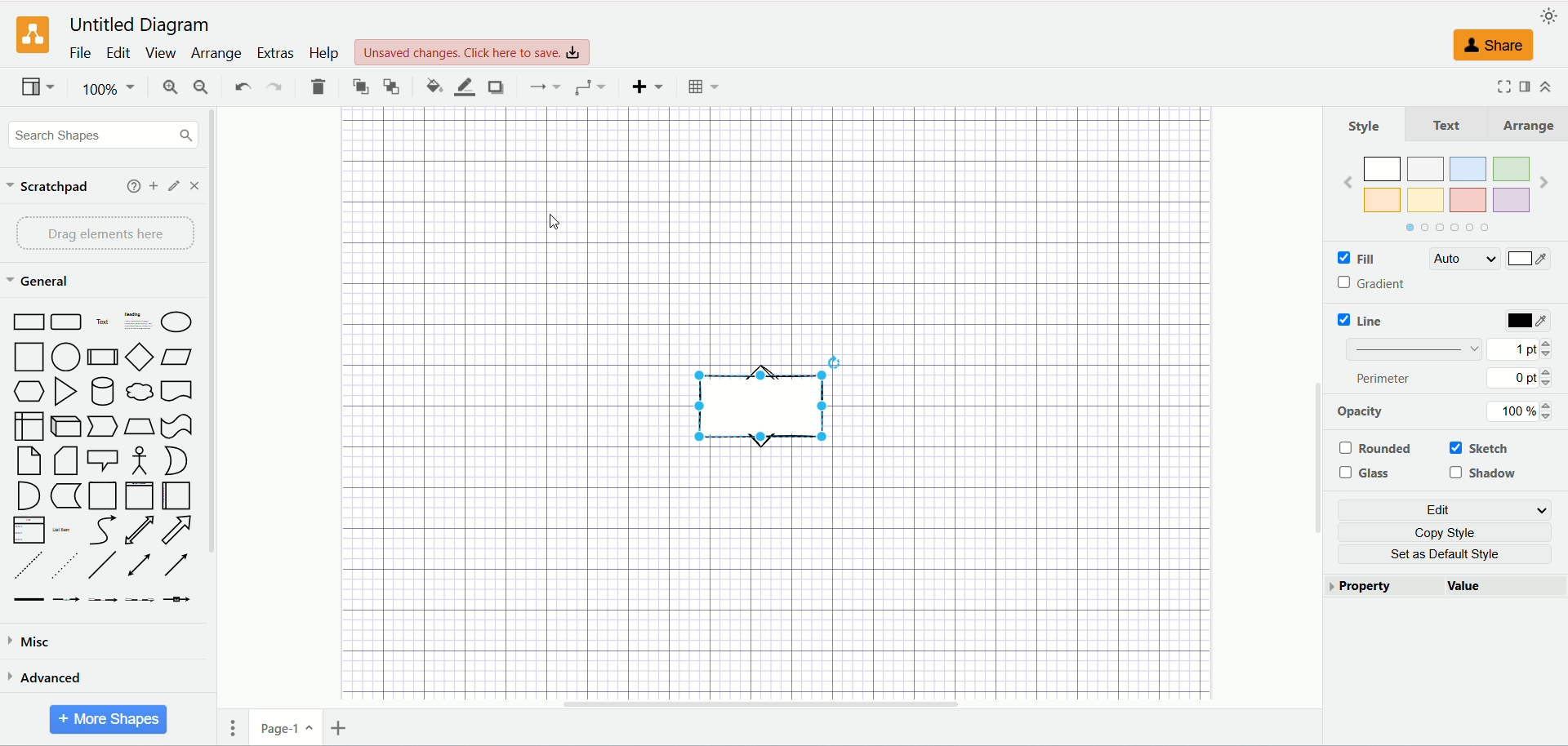 This screenshot has height=746, width=1568. I want to click on redo, so click(274, 89).